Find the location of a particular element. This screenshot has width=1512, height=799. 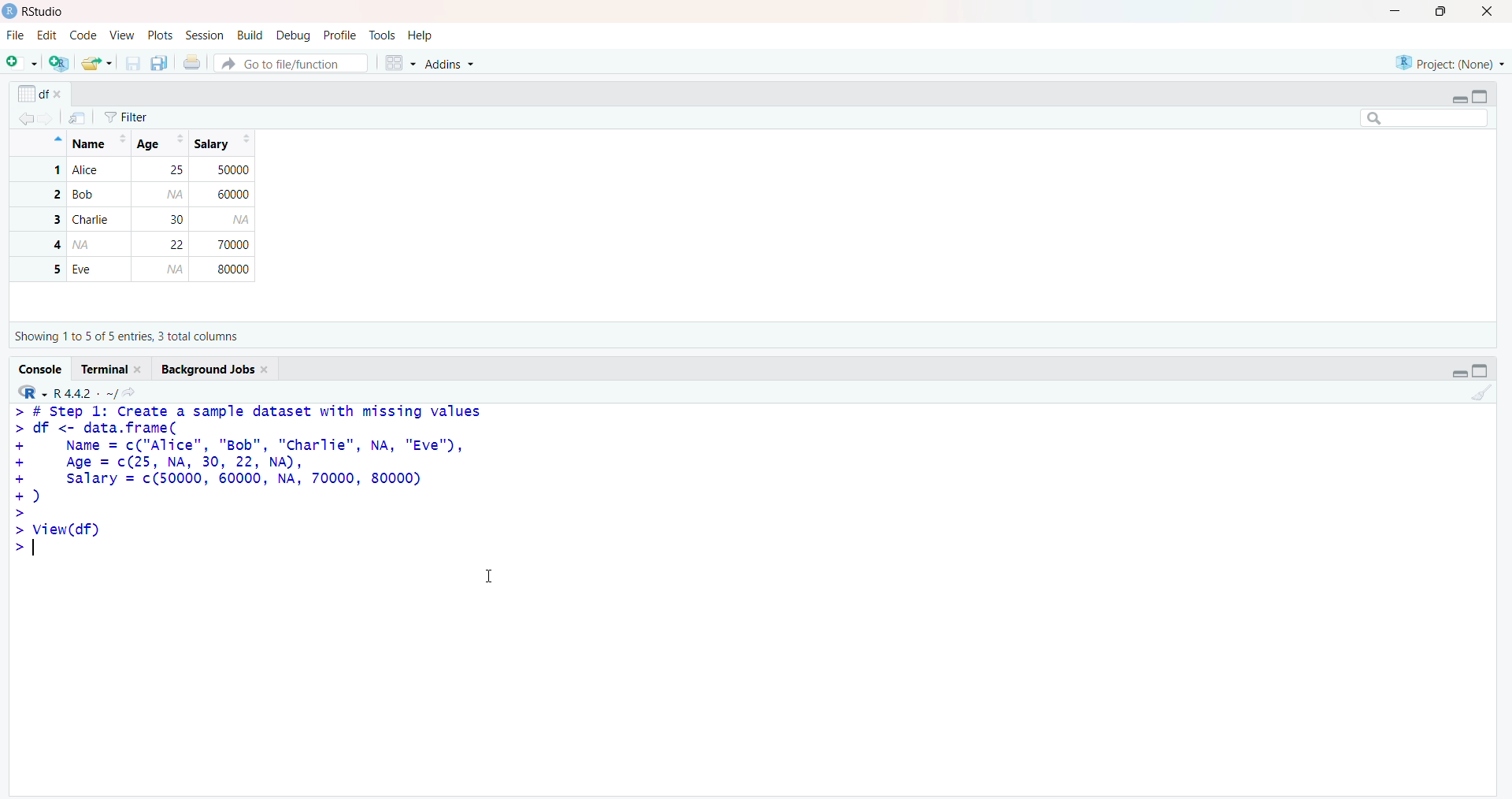

New File is located at coordinates (21, 63).